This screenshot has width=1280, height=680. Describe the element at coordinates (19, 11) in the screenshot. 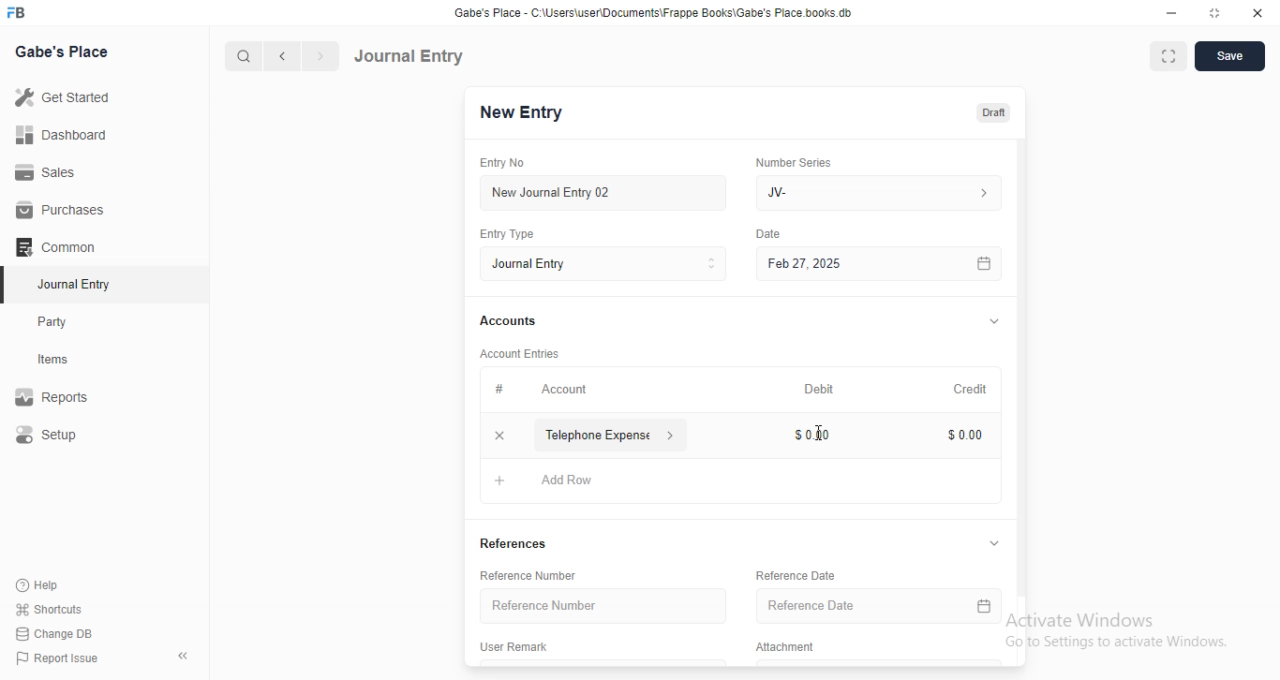

I see `FB` at that location.